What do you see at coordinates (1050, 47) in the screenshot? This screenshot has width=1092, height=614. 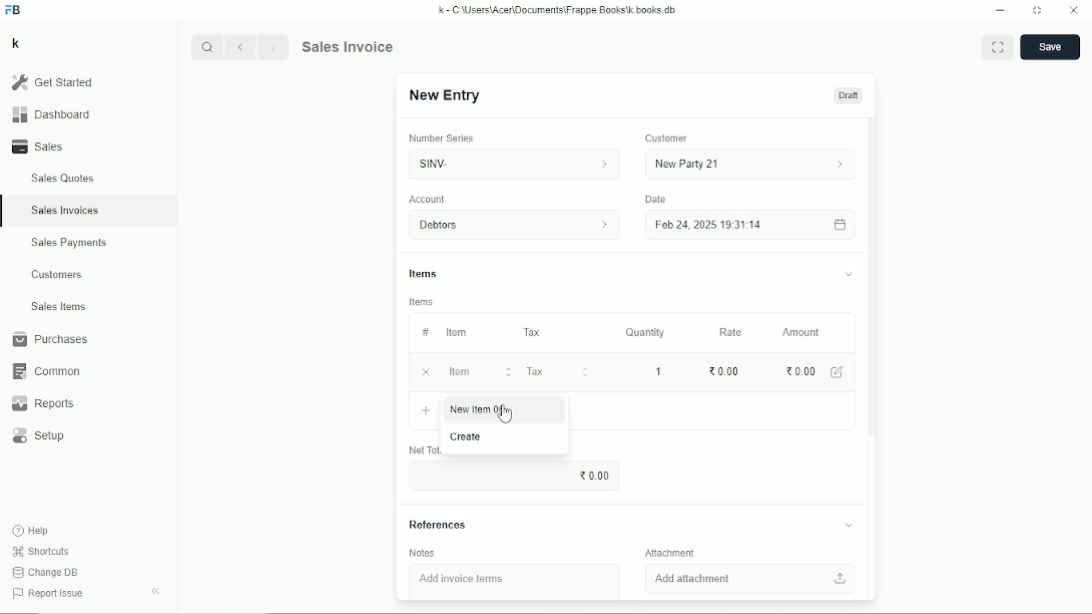 I see `Save` at bounding box center [1050, 47].